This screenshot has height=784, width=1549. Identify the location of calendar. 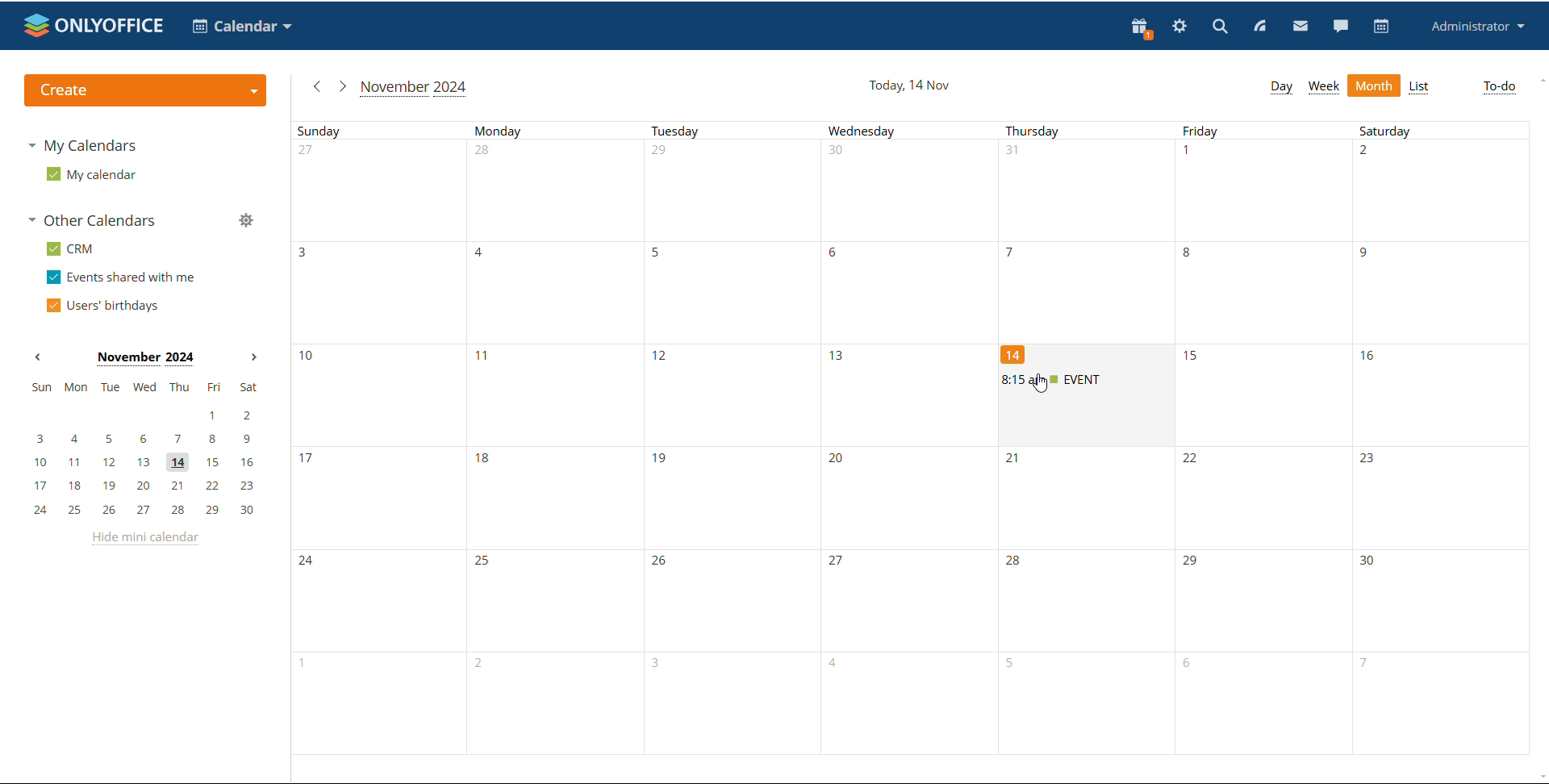
(1382, 27).